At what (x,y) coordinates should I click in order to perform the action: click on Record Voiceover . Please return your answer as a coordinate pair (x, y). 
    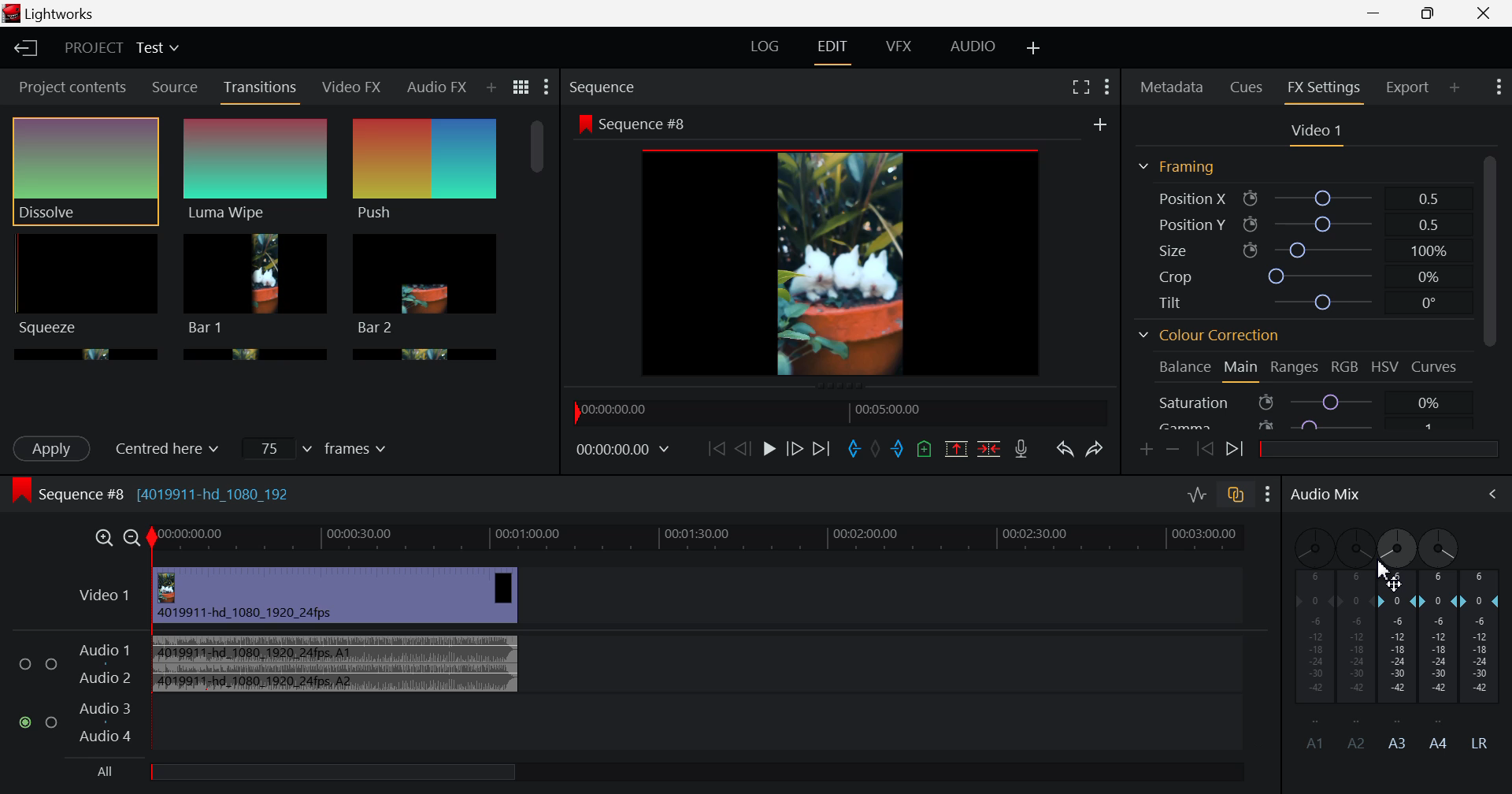
    Looking at the image, I should click on (1021, 448).